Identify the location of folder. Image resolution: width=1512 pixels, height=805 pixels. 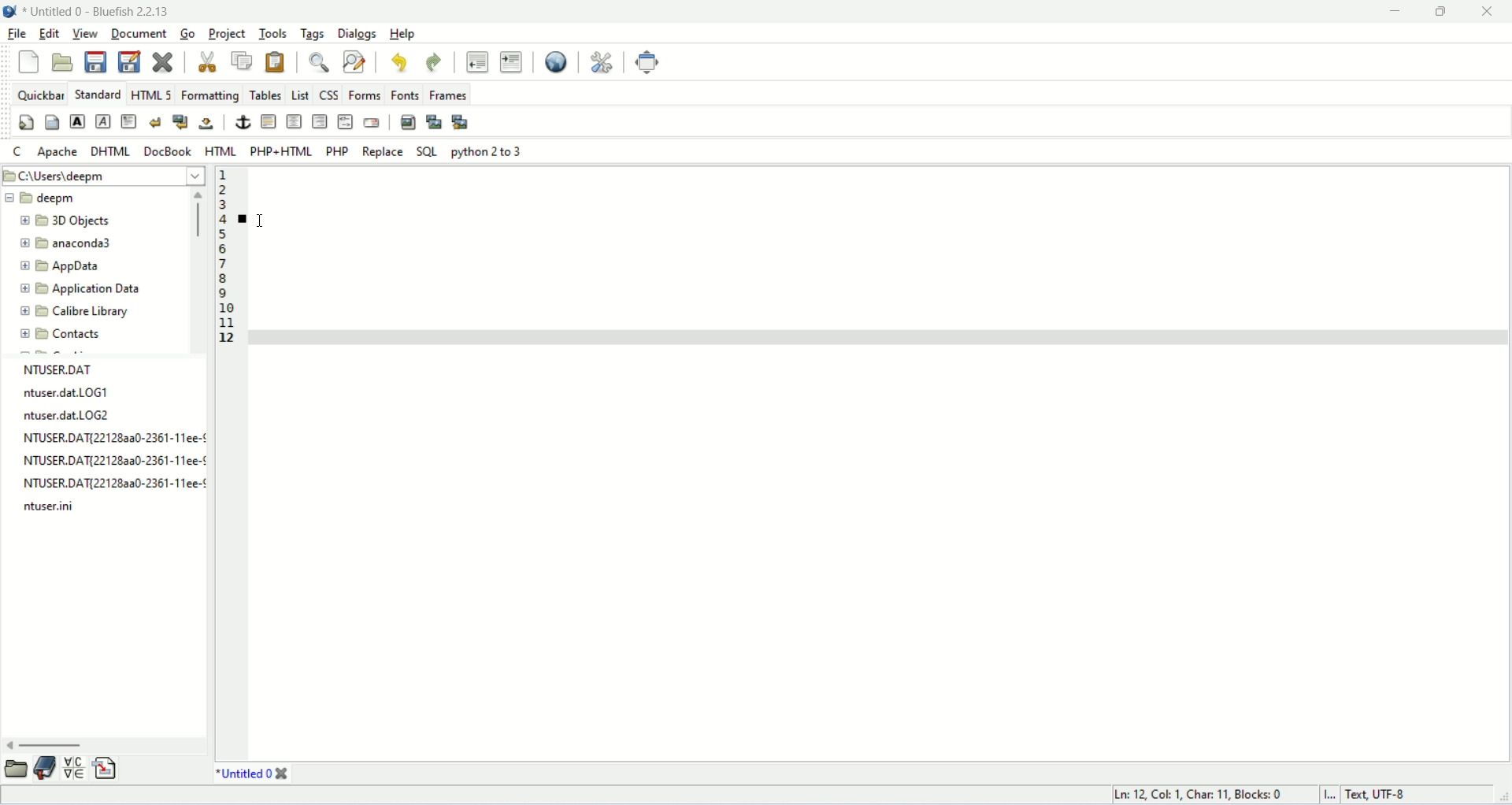
(15, 770).